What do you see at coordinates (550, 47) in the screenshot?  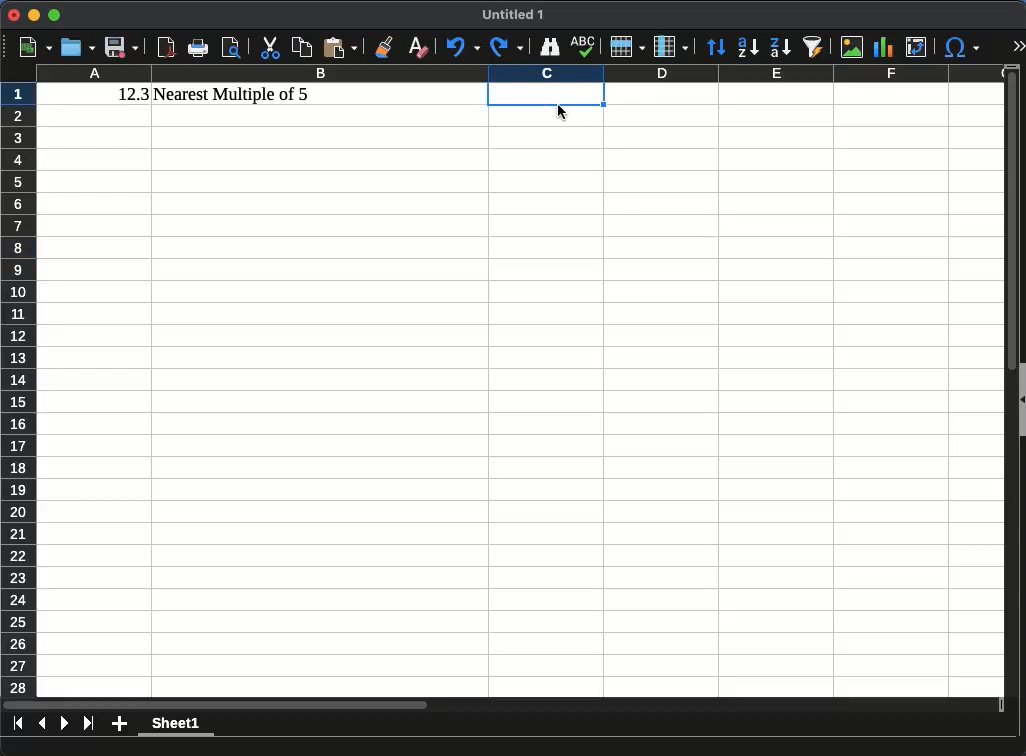 I see `finder` at bounding box center [550, 47].